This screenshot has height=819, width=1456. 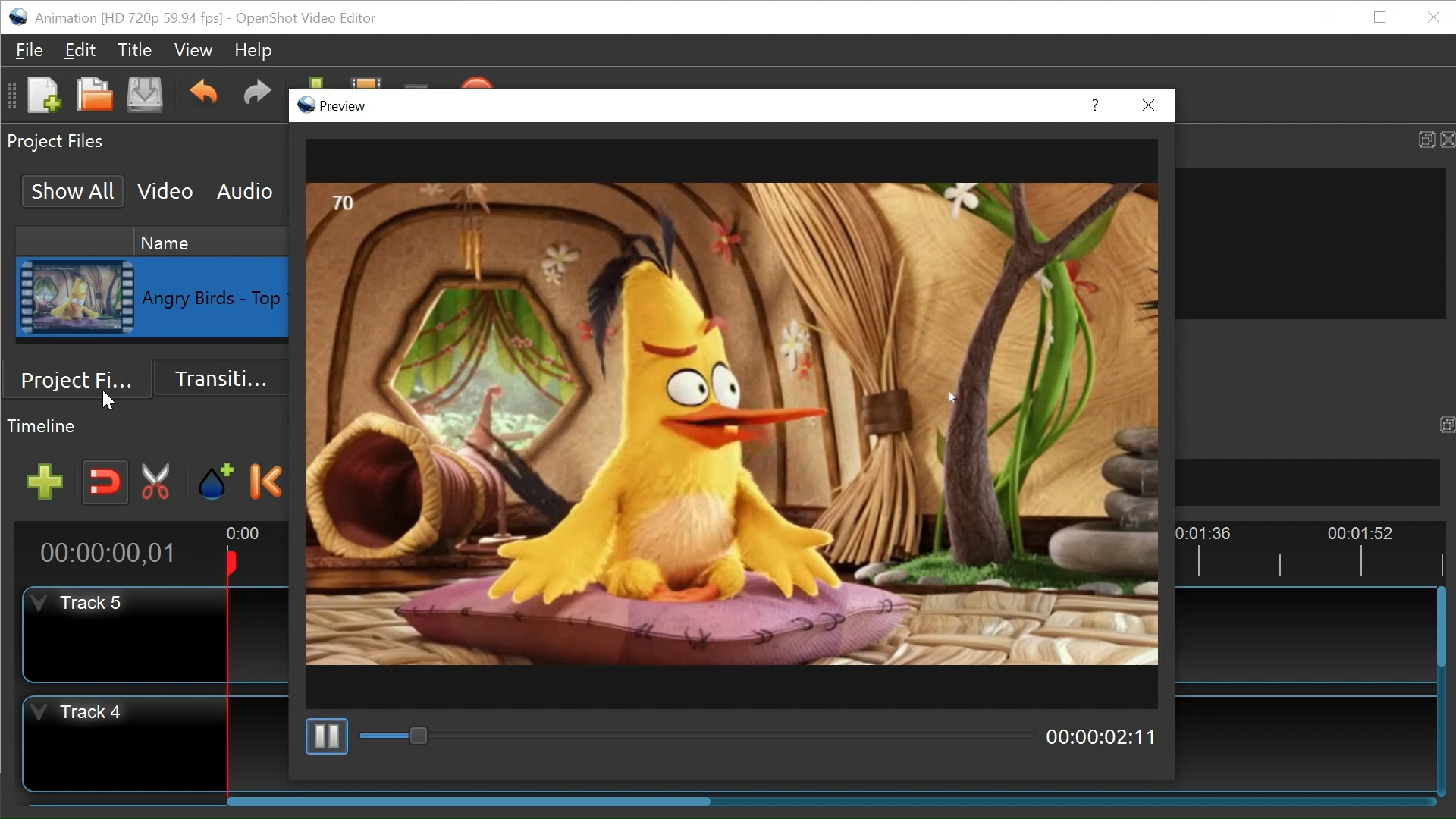 I want to click on Maximize, so click(x=1445, y=424).